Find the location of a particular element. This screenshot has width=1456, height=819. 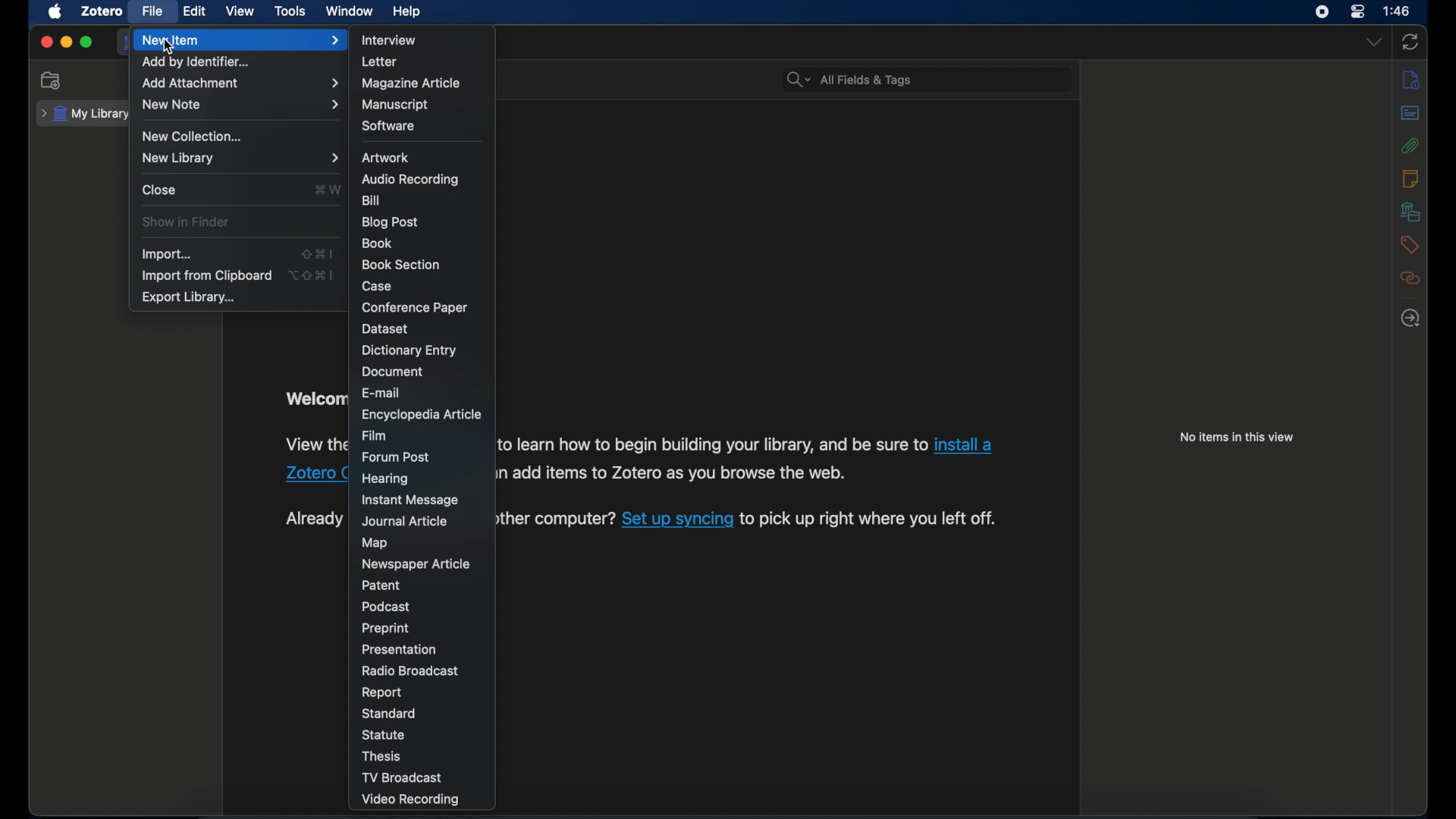

new note is located at coordinates (240, 104).